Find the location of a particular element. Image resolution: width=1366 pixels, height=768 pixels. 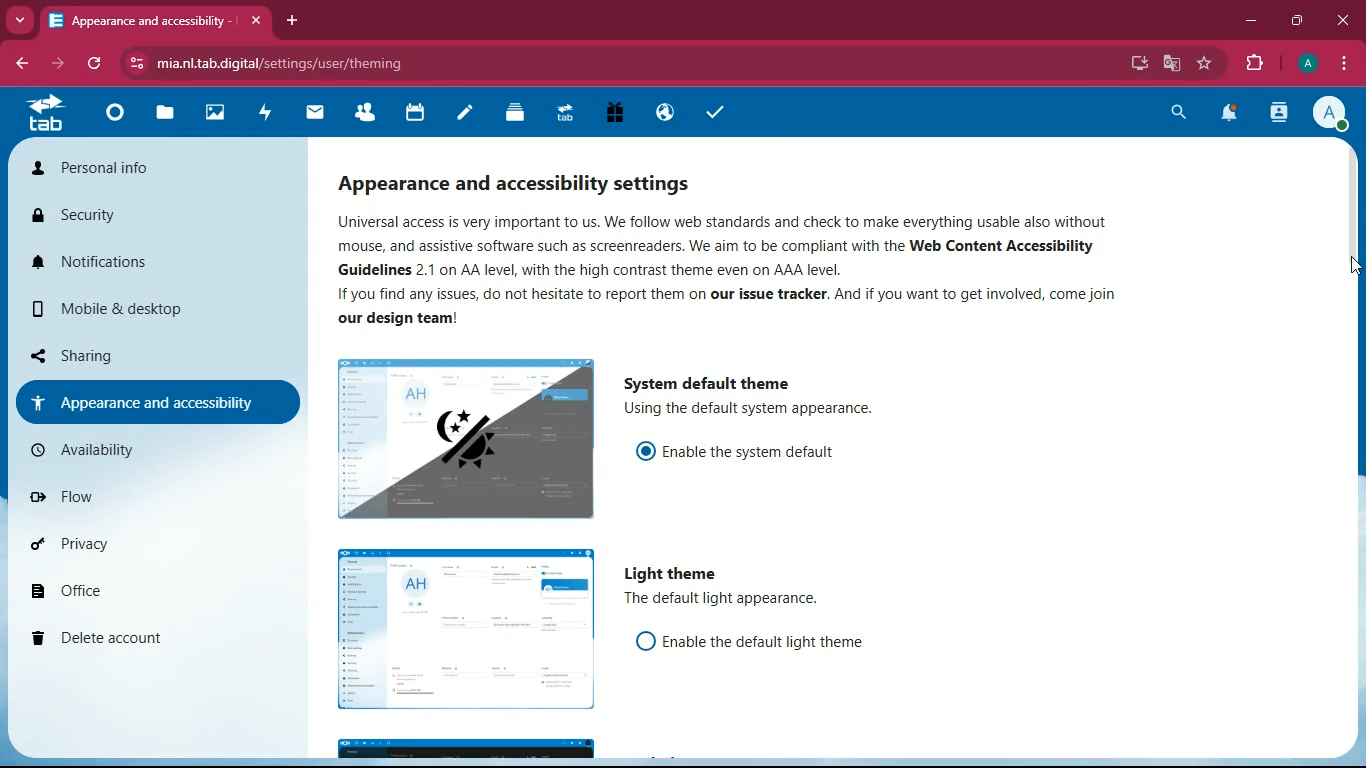

activity is located at coordinates (1280, 115).